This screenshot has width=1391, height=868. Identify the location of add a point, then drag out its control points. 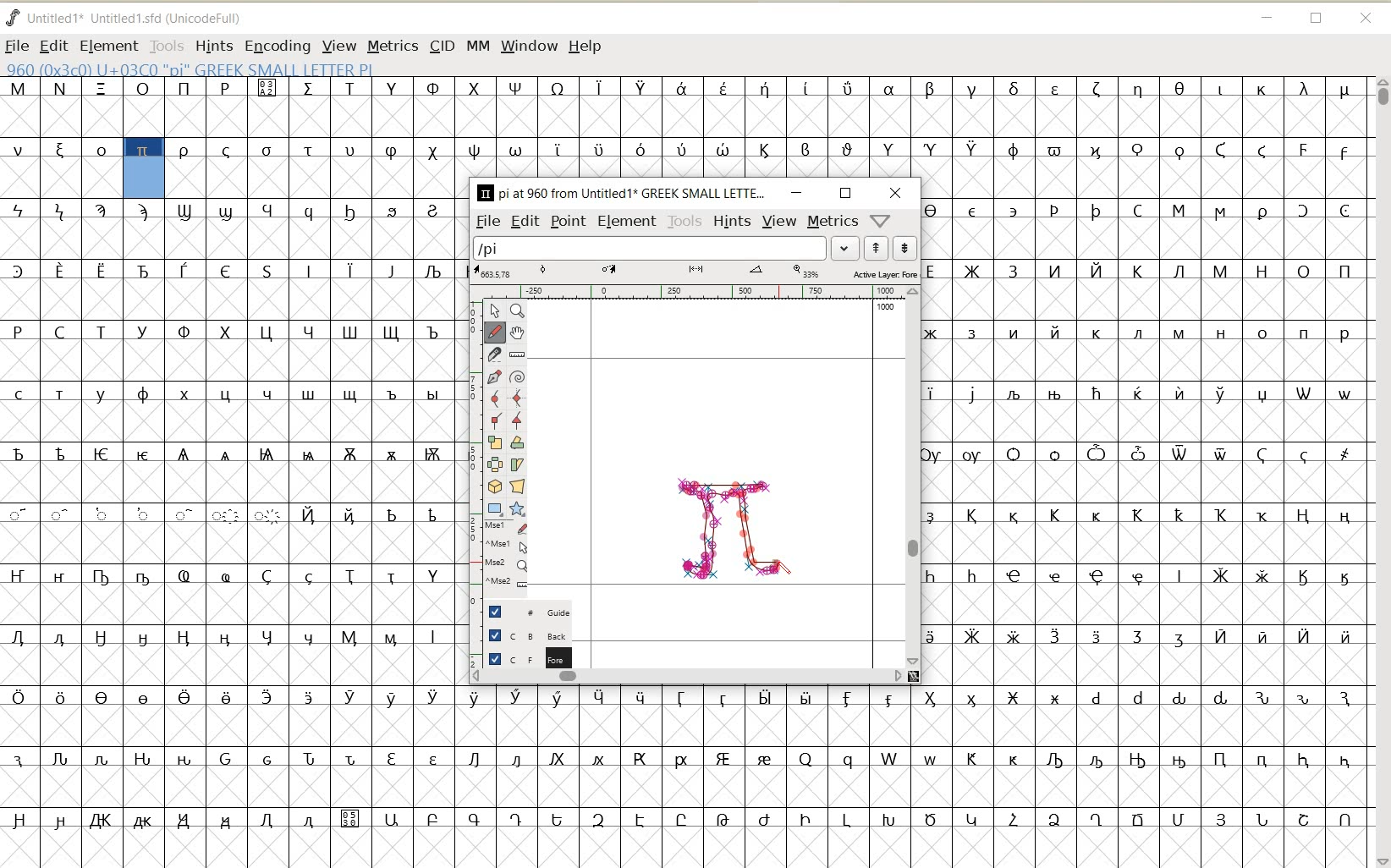
(494, 375).